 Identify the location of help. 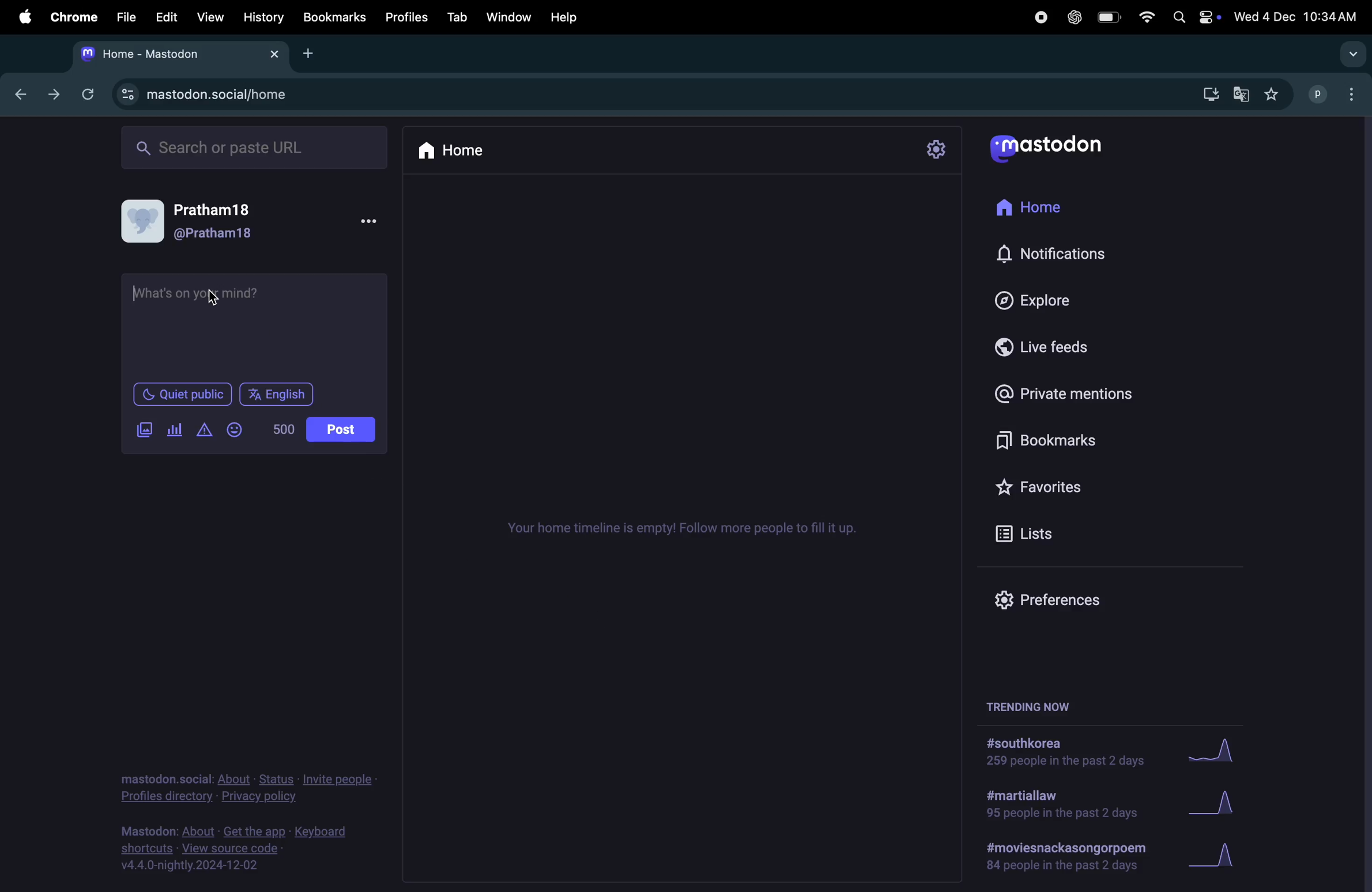
(574, 14).